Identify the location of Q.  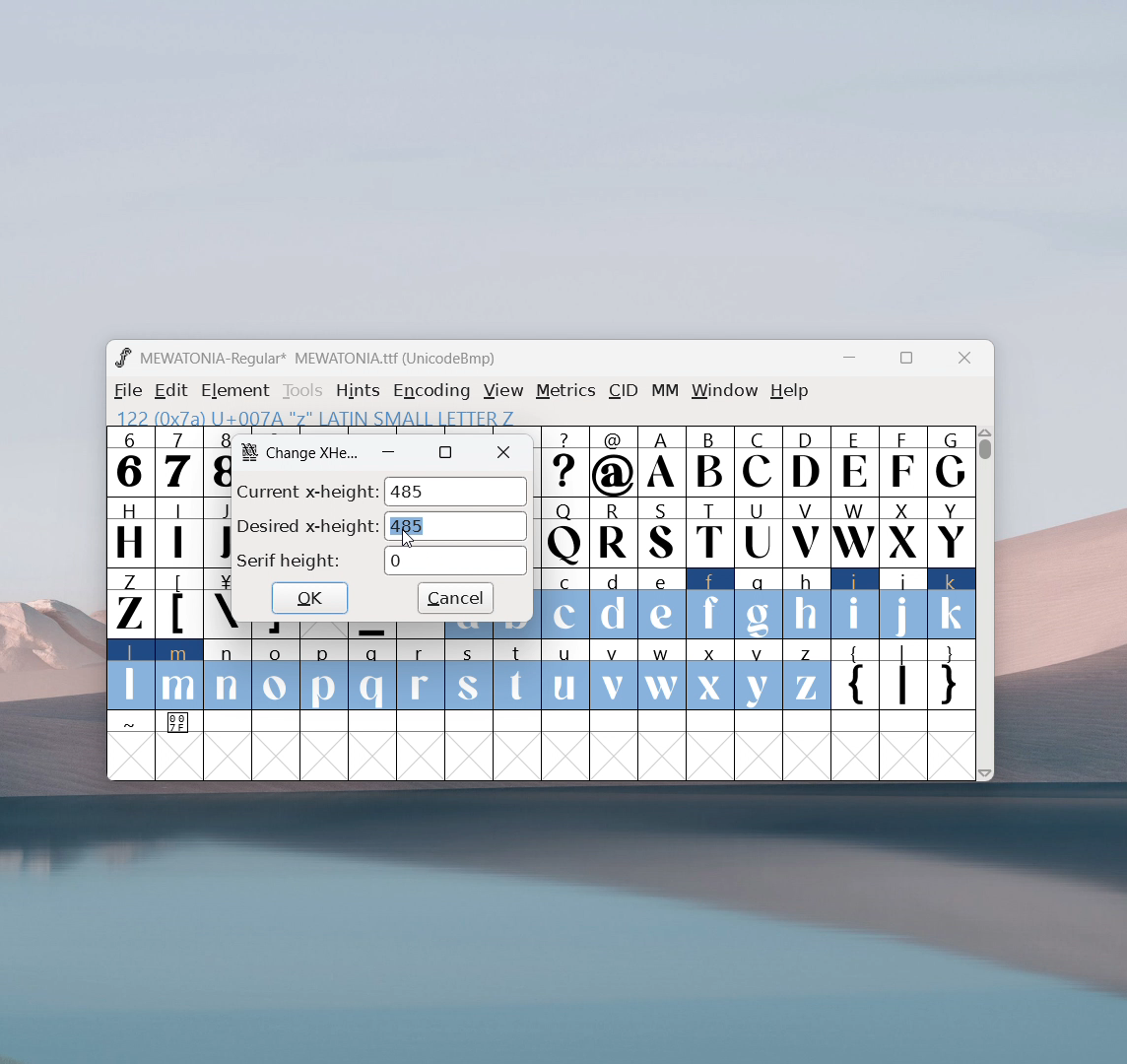
(564, 534).